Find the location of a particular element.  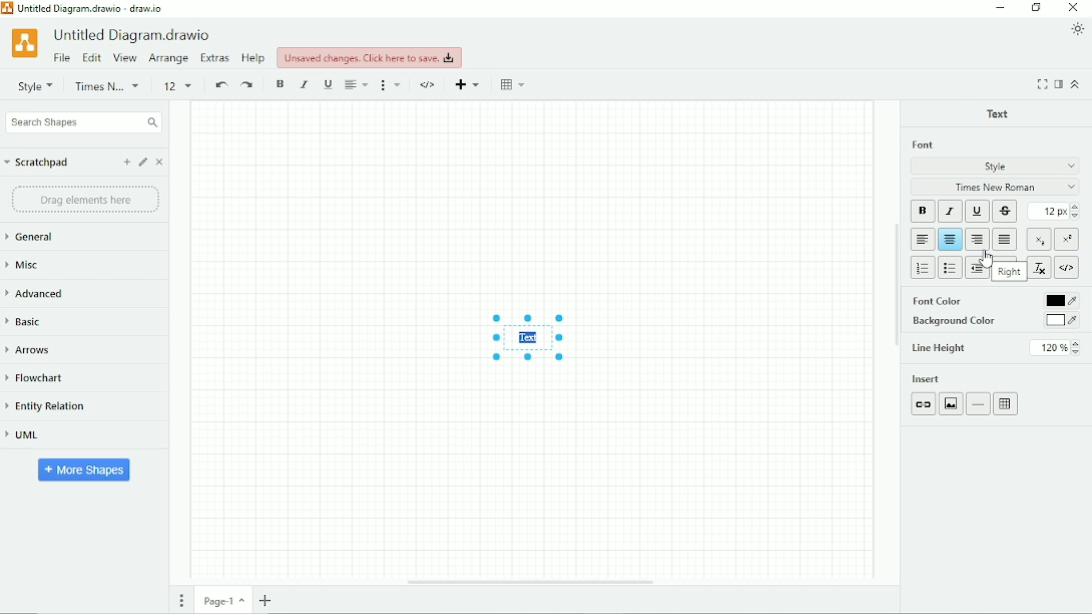

Increase indent is located at coordinates (1005, 267).